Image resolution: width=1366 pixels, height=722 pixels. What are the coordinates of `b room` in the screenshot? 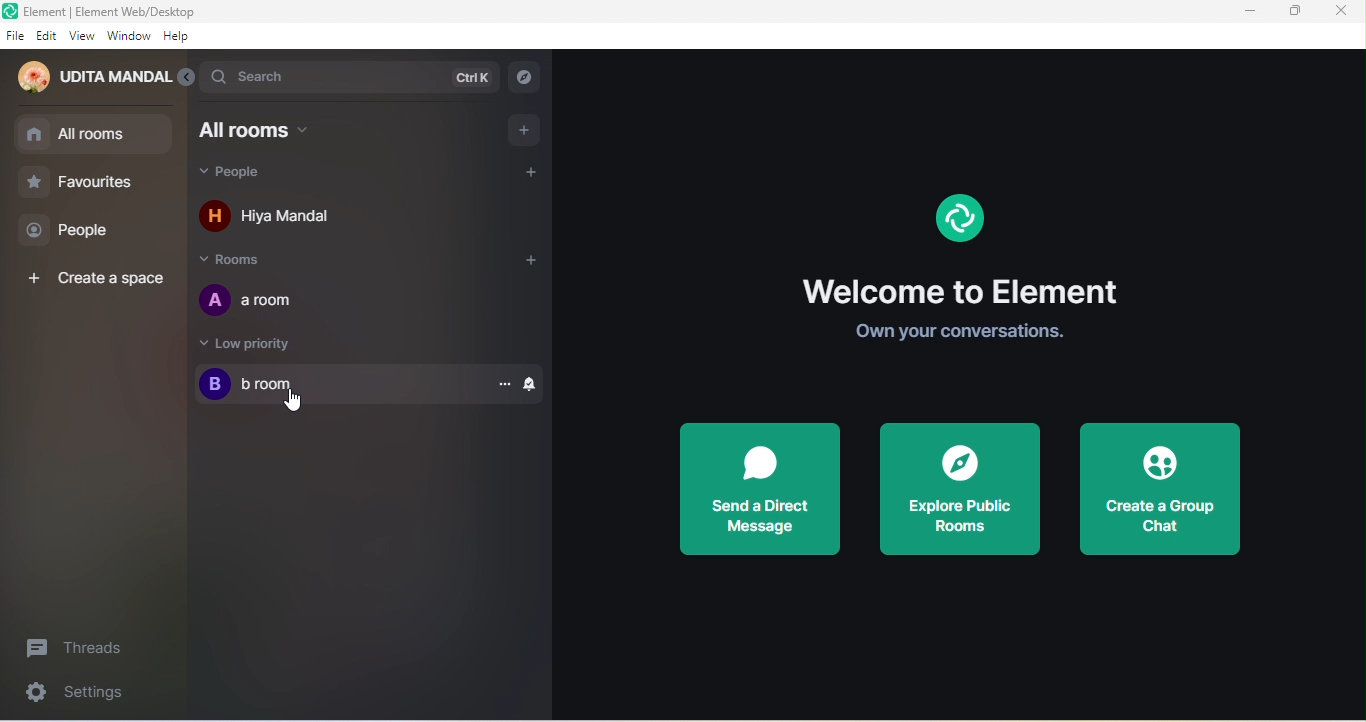 It's located at (338, 385).